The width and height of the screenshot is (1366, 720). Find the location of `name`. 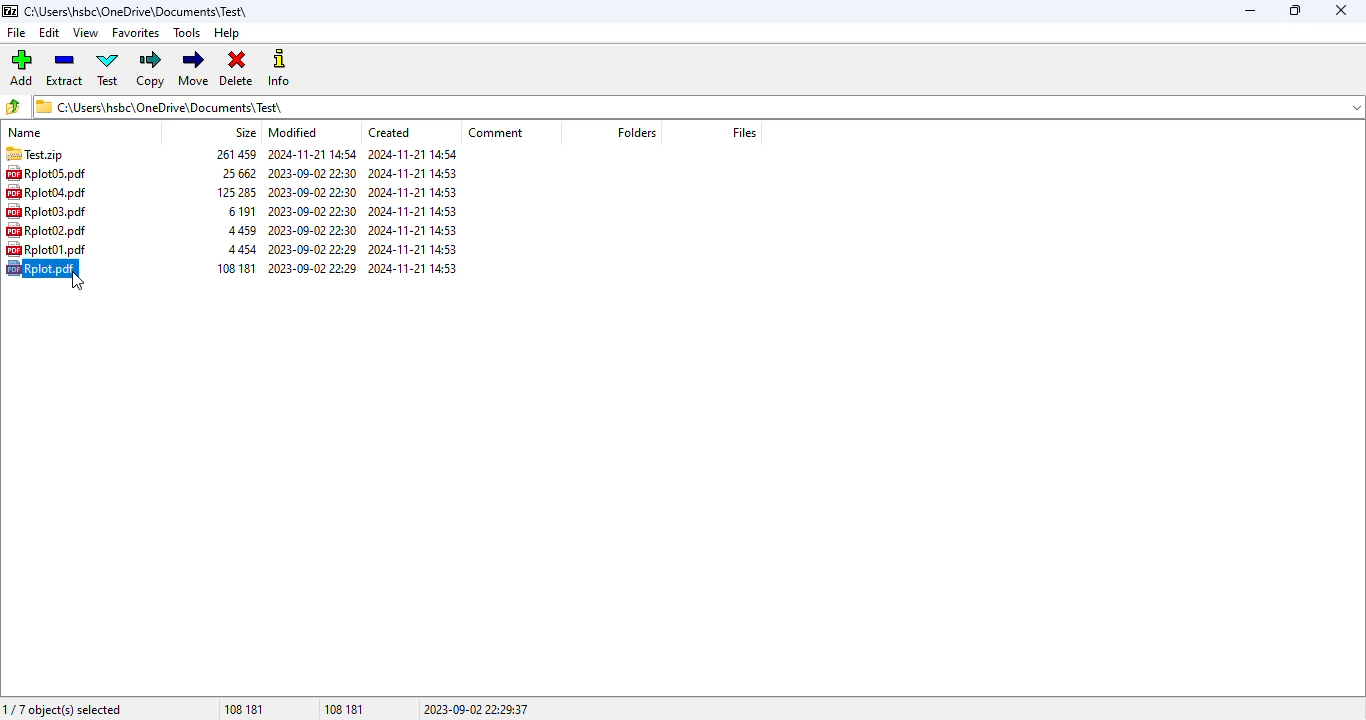

name is located at coordinates (24, 132).